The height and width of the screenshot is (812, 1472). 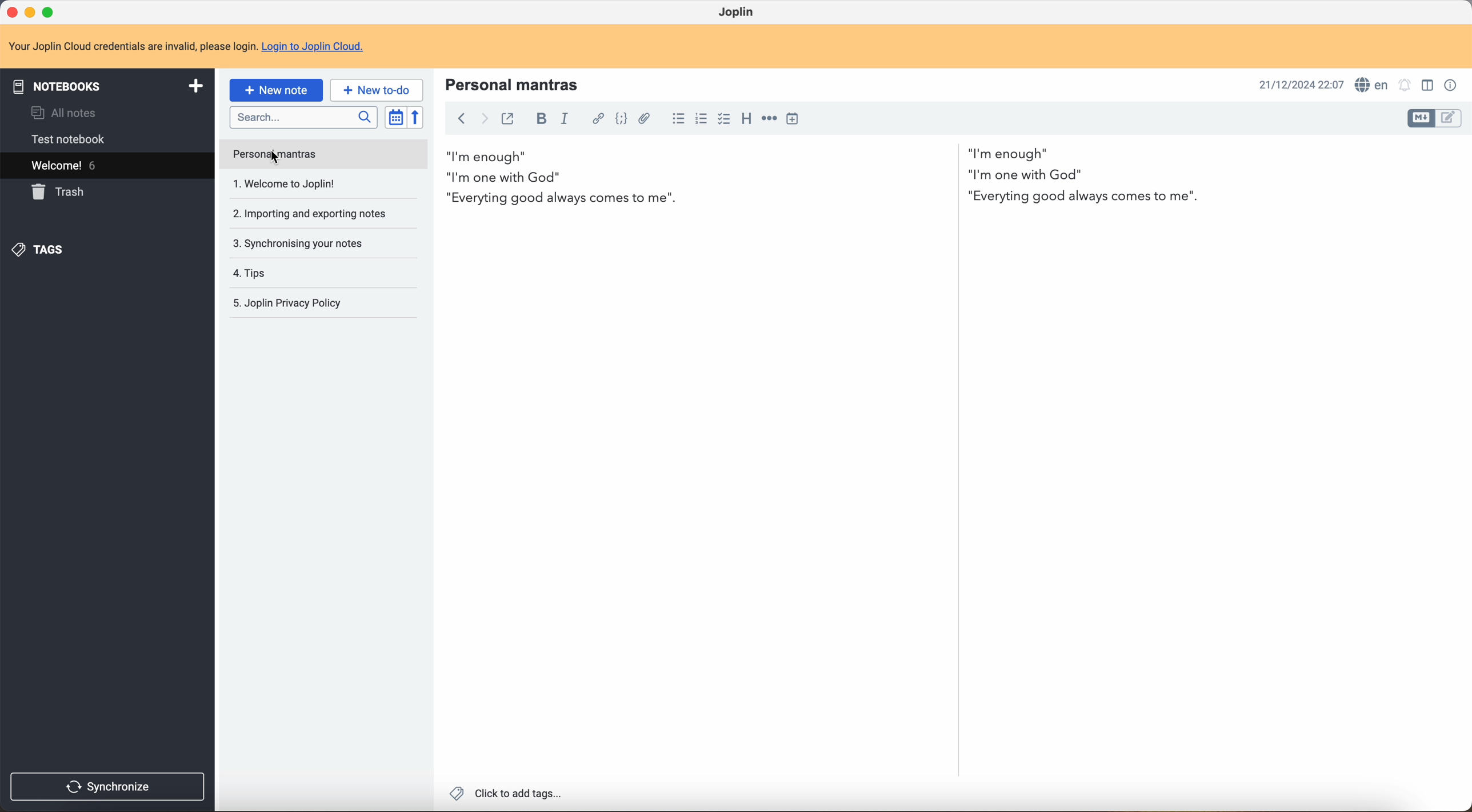 I want to click on code, so click(x=620, y=120).